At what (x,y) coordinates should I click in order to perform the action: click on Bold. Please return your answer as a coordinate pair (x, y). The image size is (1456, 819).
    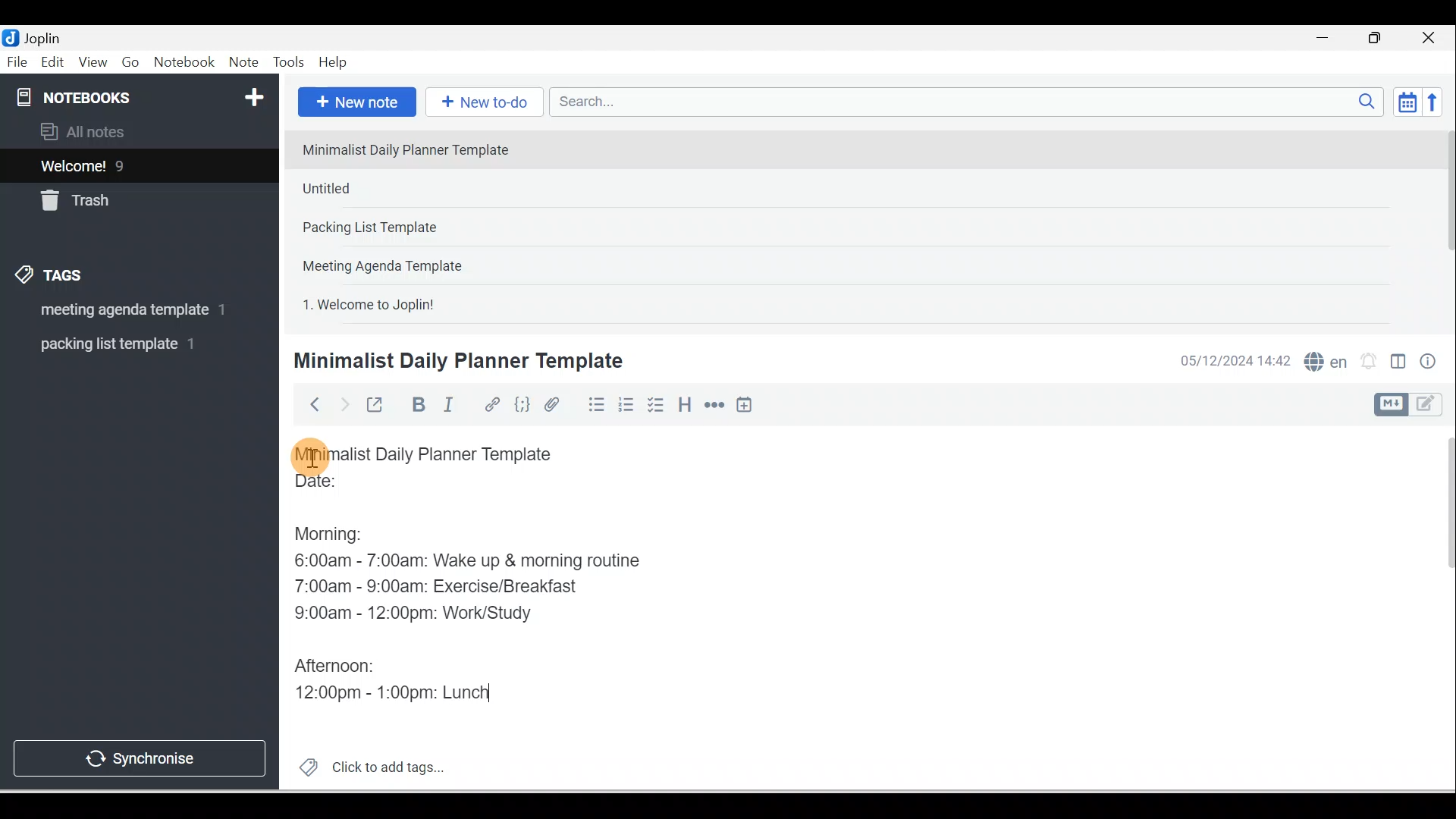
    Looking at the image, I should click on (416, 405).